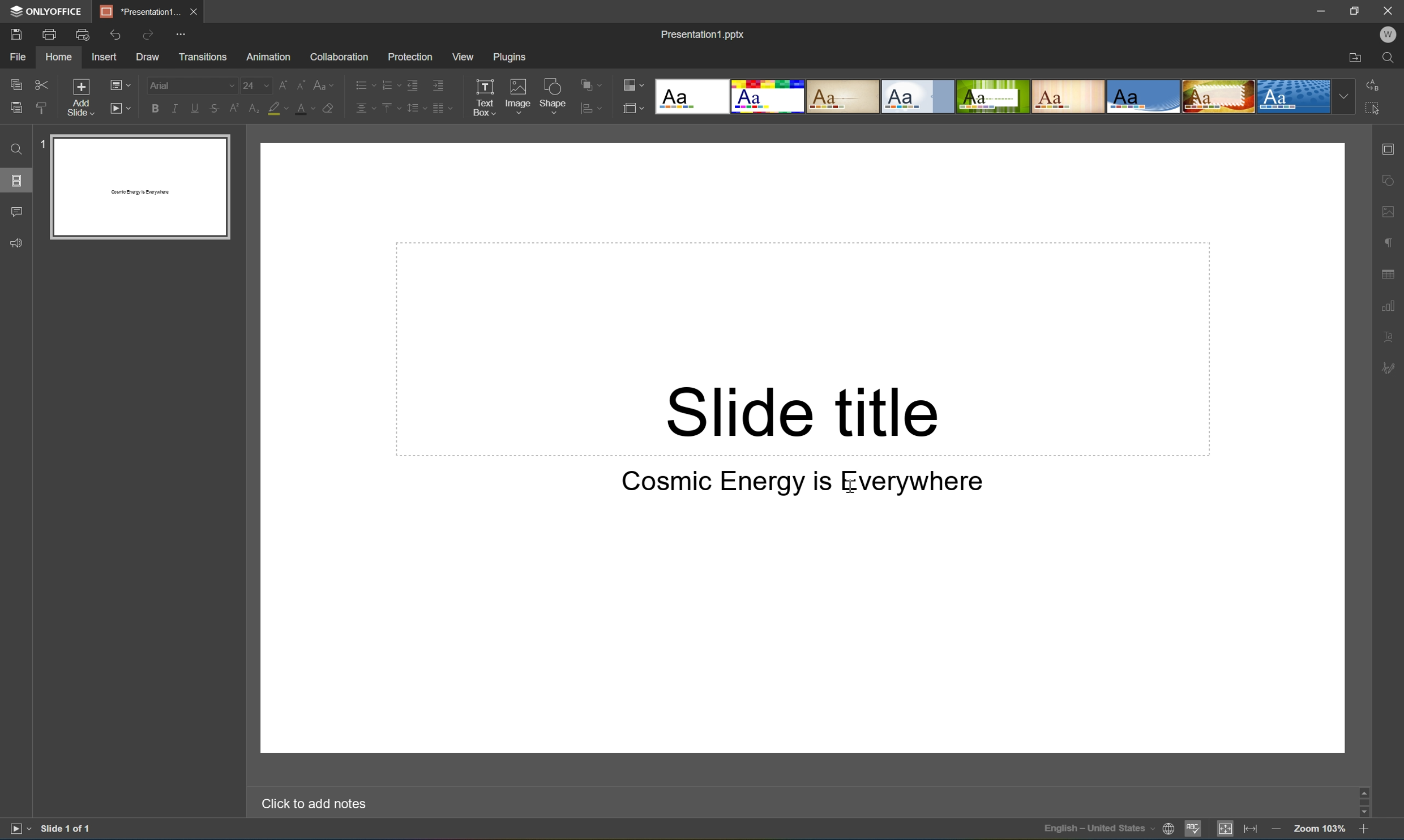 Image resolution: width=1404 pixels, height=840 pixels. Describe the element at coordinates (1168, 830) in the screenshot. I see `Set document language` at that location.